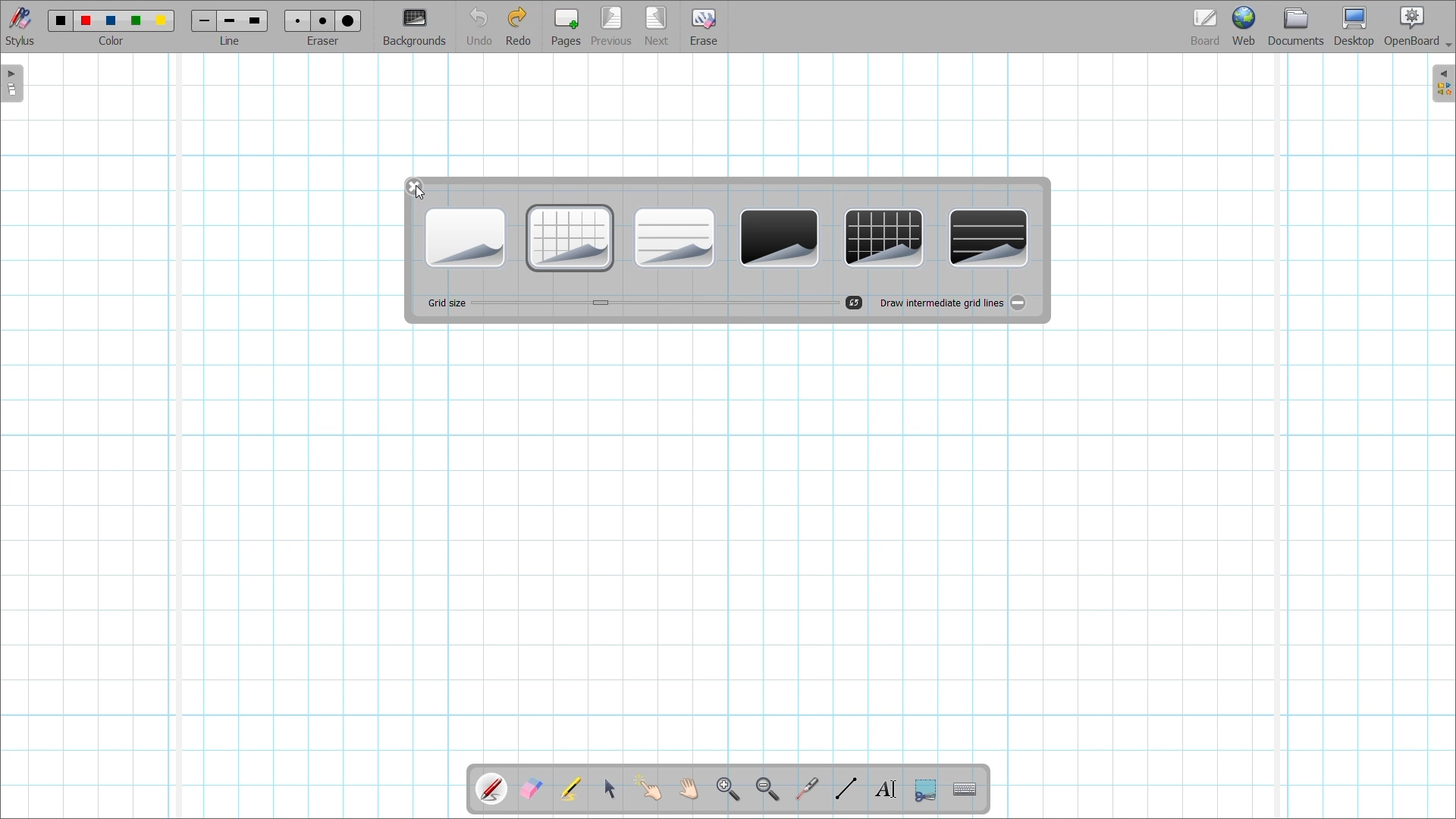  I want to click on OpenBoard settings, so click(1418, 27).